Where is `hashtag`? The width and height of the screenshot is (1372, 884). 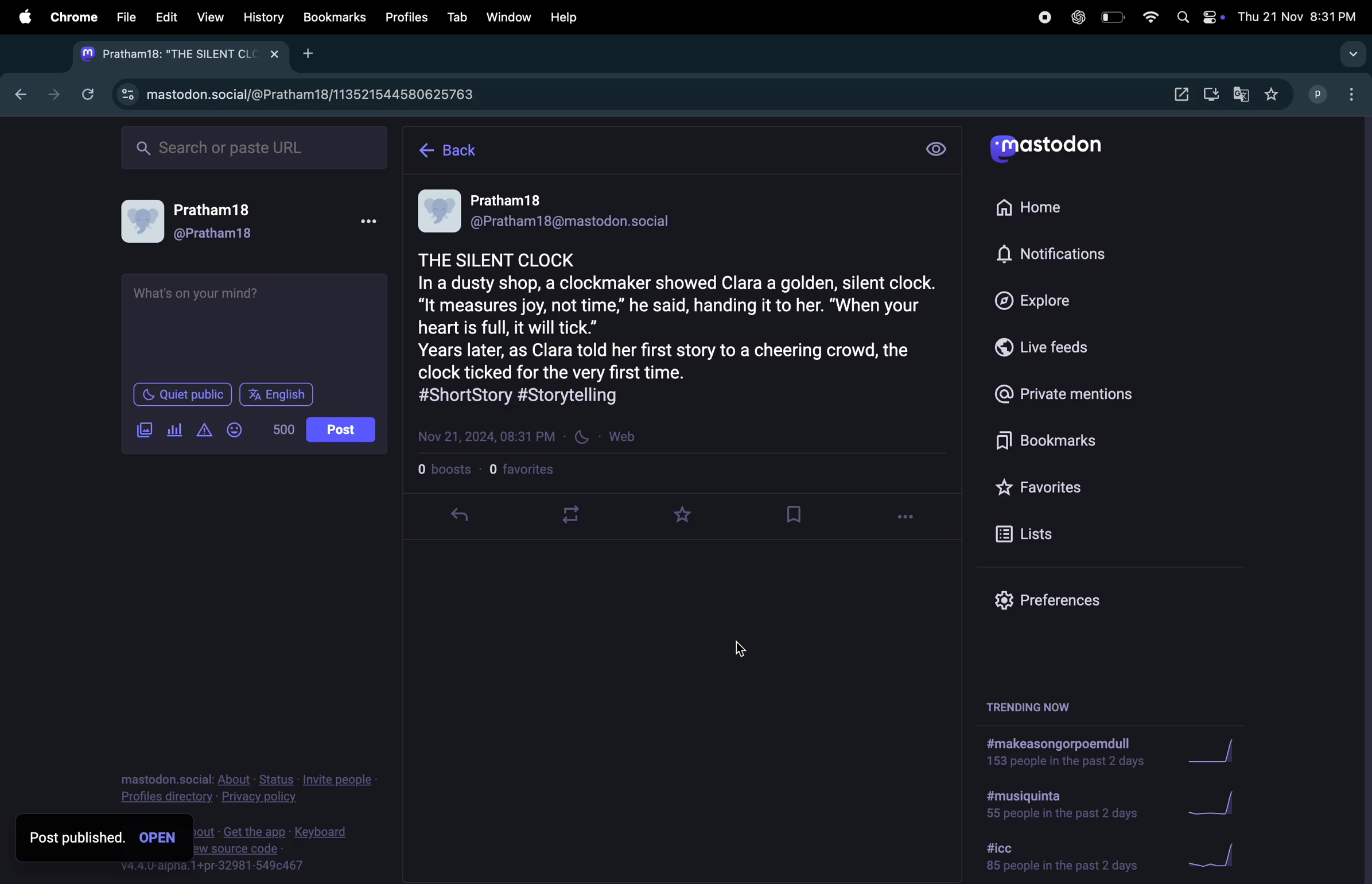 hashtag is located at coordinates (1058, 807).